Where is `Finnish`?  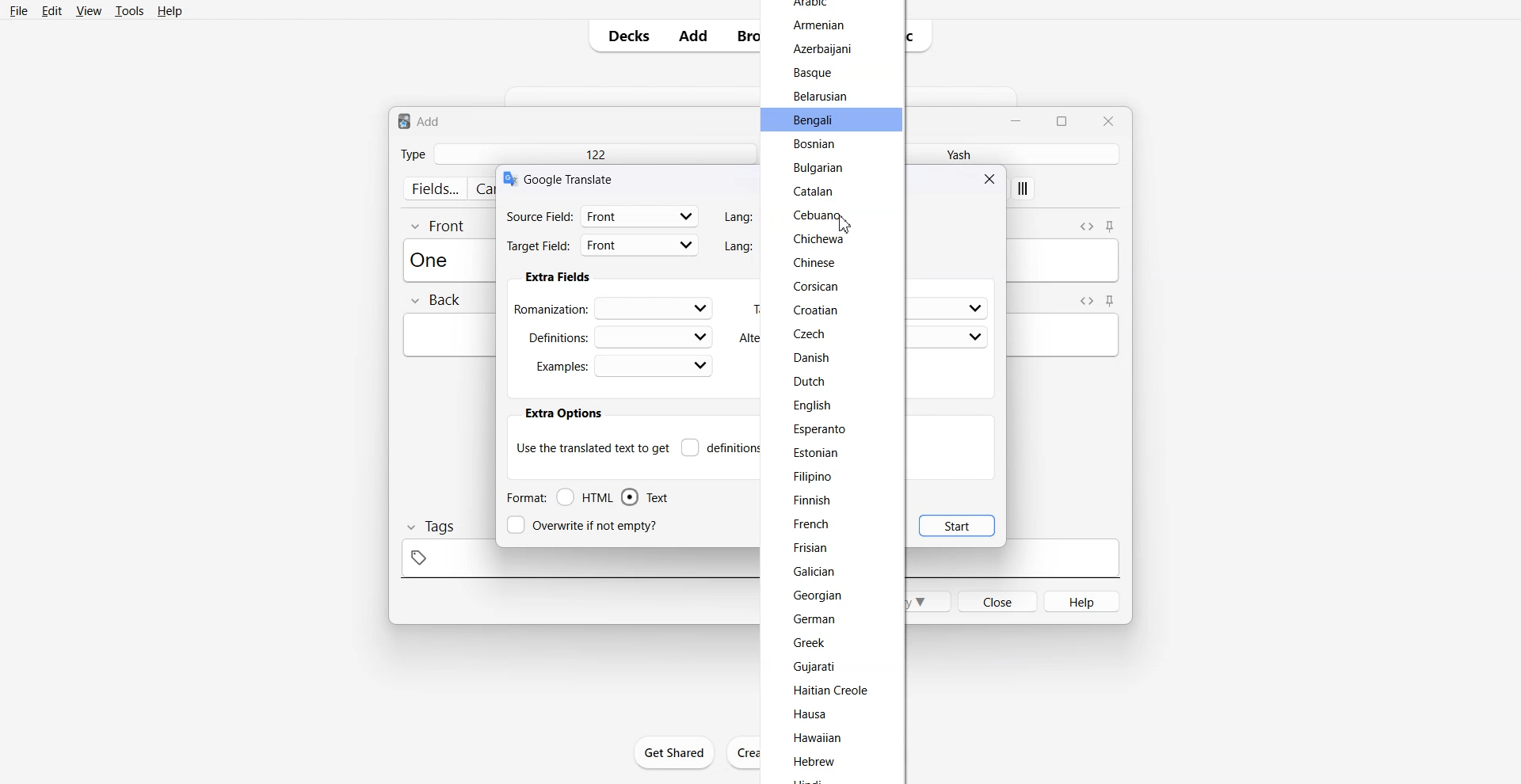 Finnish is located at coordinates (811, 501).